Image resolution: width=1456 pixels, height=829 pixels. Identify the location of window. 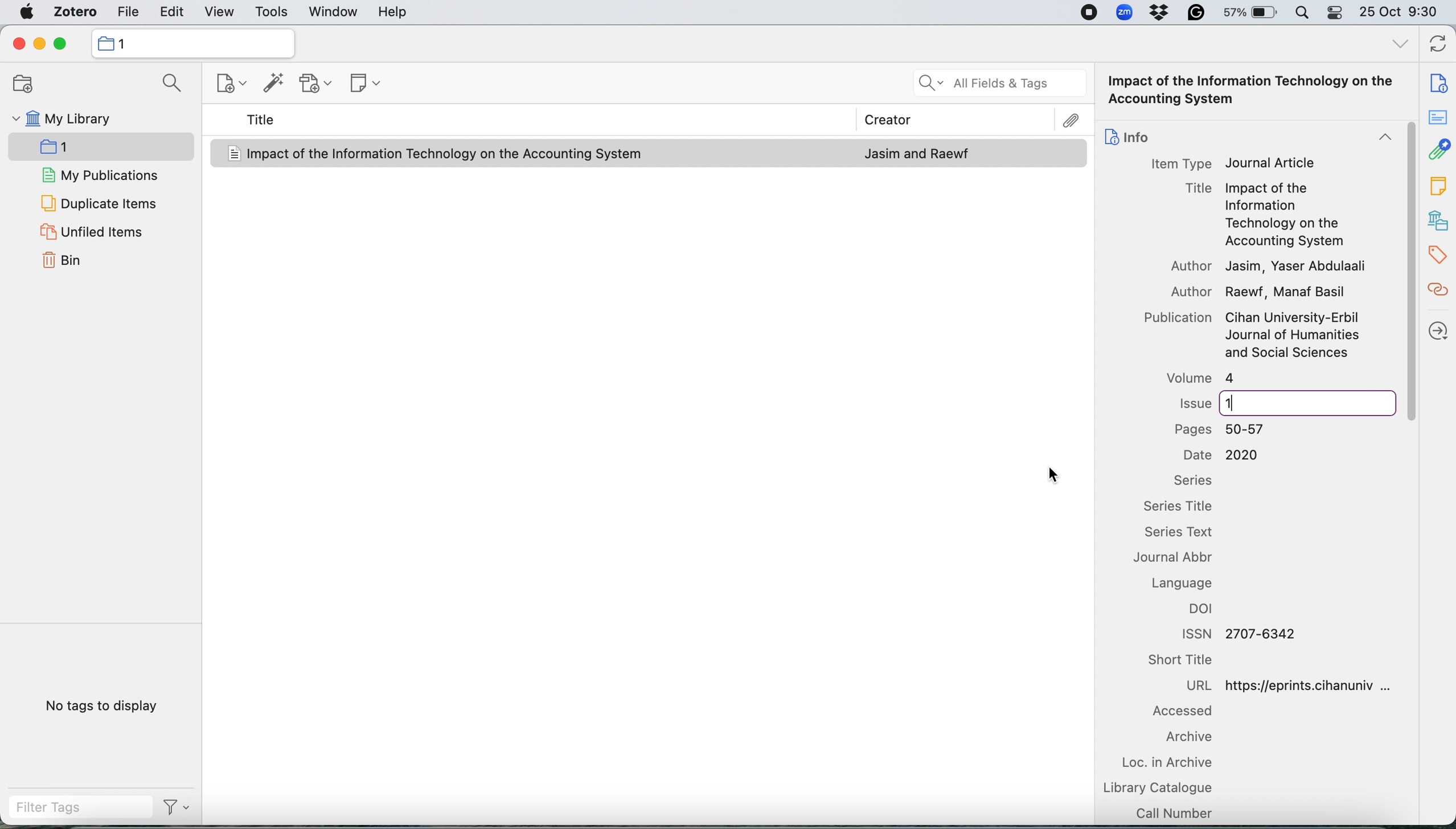
(333, 12).